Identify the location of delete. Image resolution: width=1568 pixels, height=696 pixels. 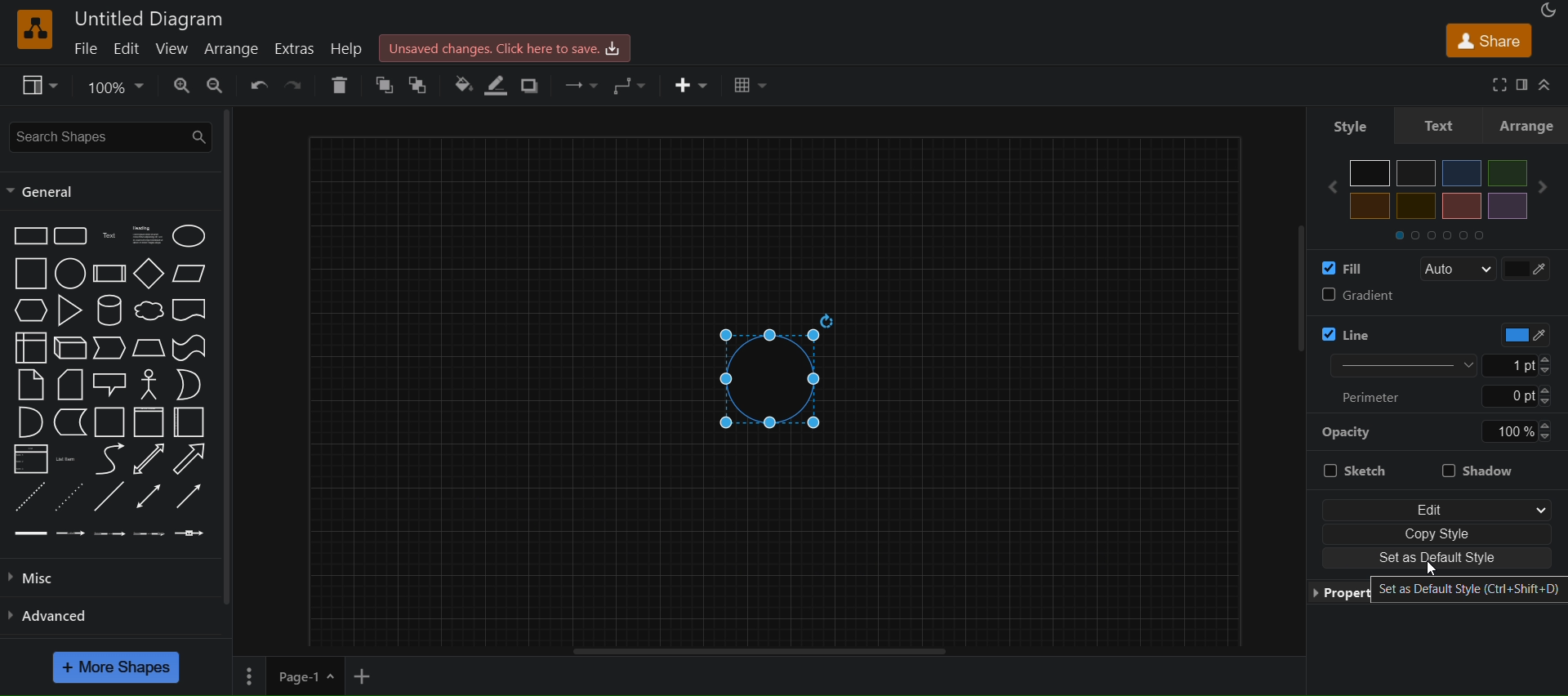
(340, 85).